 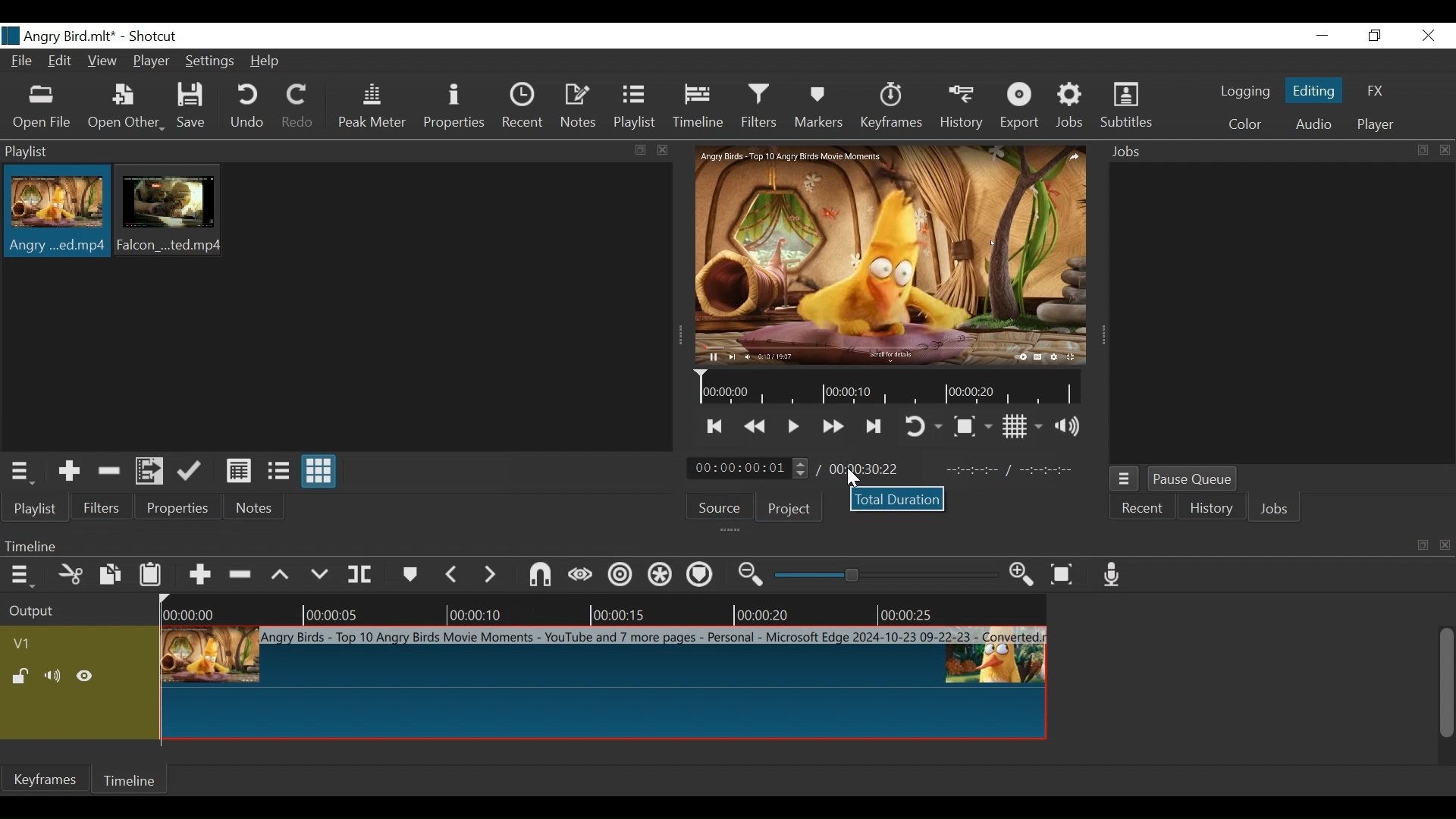 What do you see at coordinates (893, 107) in the screenshot?
I see `Keyframe` at bounding box center [893, 107].